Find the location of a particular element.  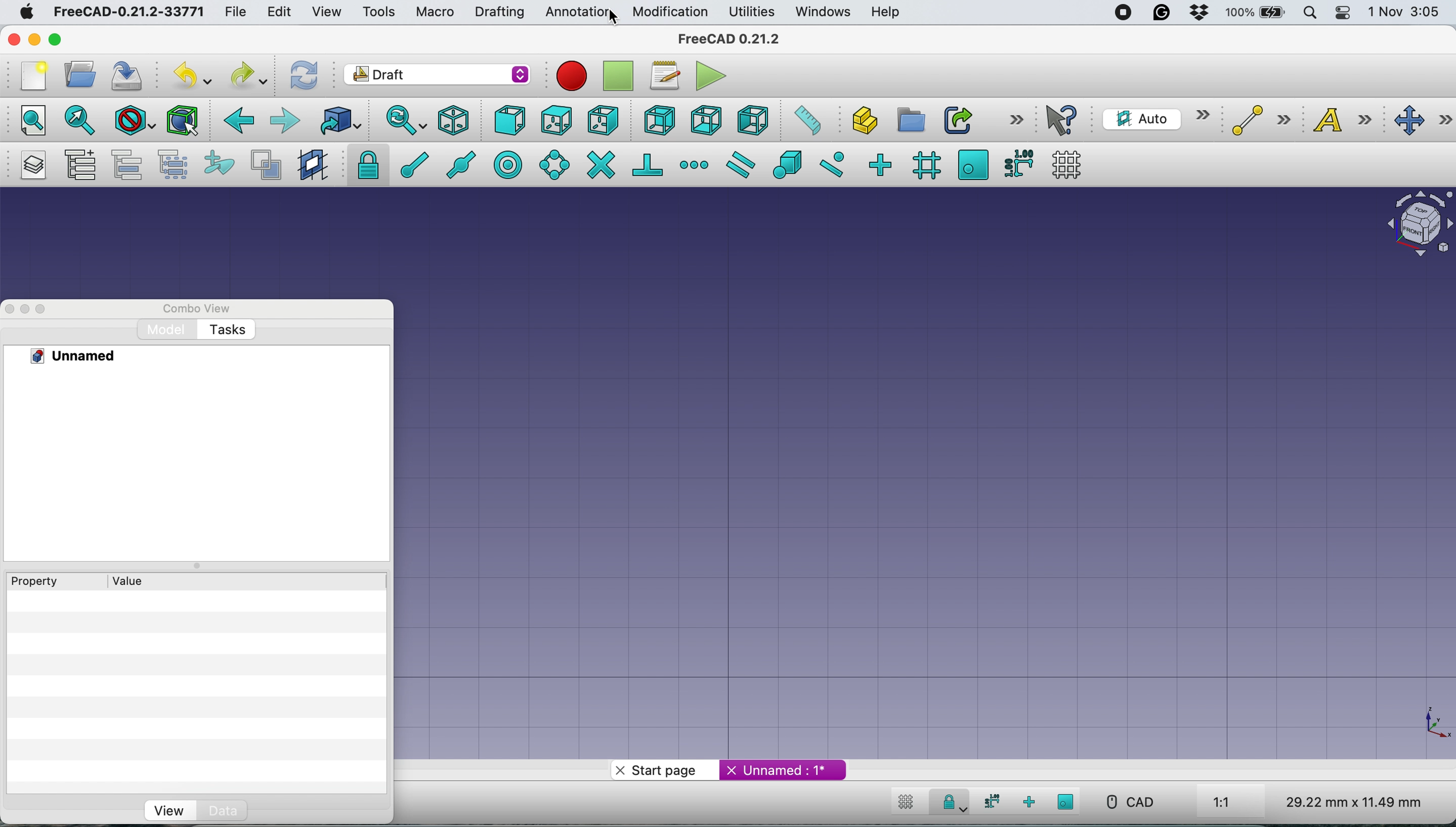

snap midway is located at coordinates (457, 166).